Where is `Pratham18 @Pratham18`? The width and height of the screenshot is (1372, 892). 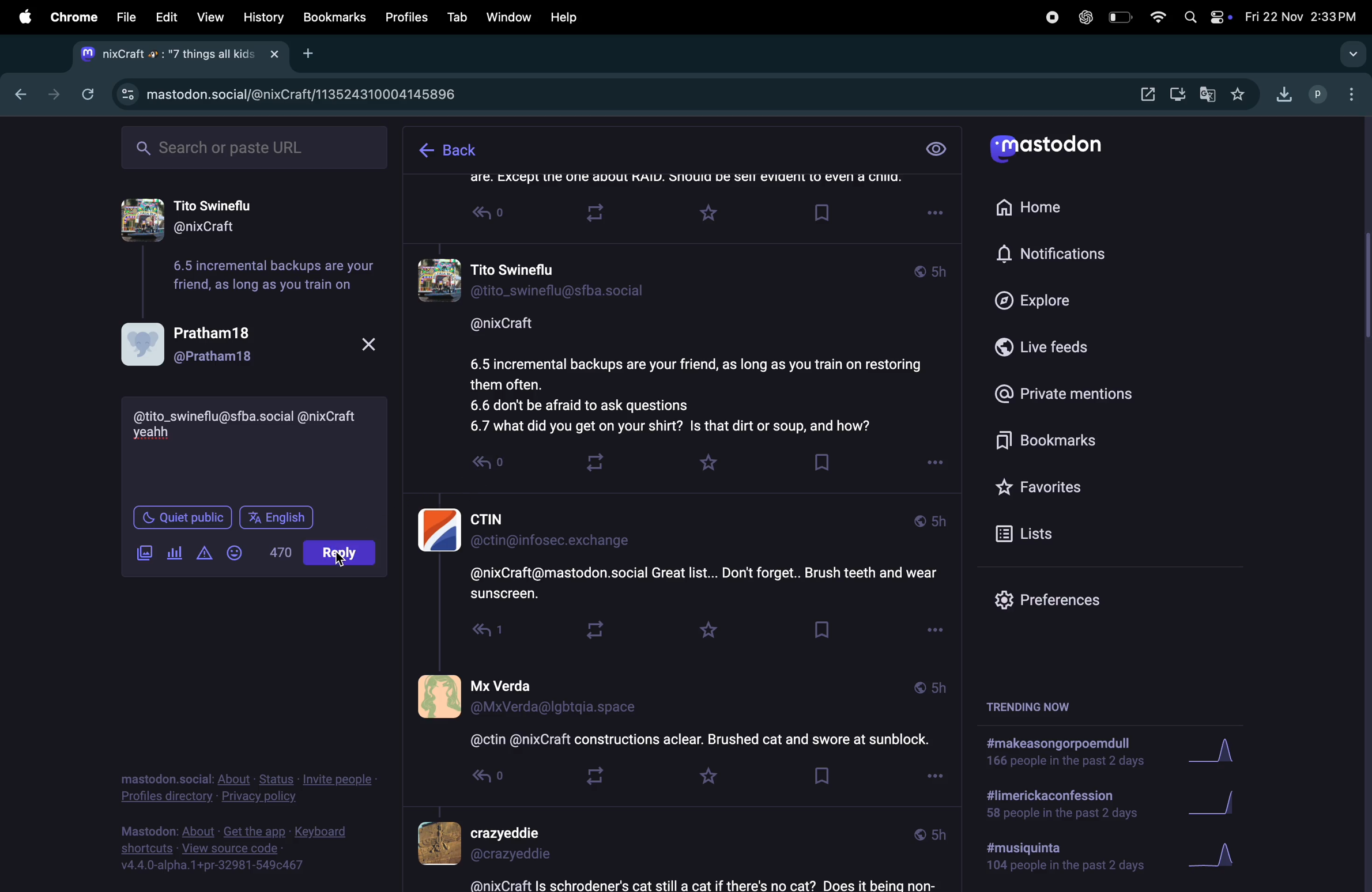
Pratham18 @Pratham18 is located at coordinates (255, 343).